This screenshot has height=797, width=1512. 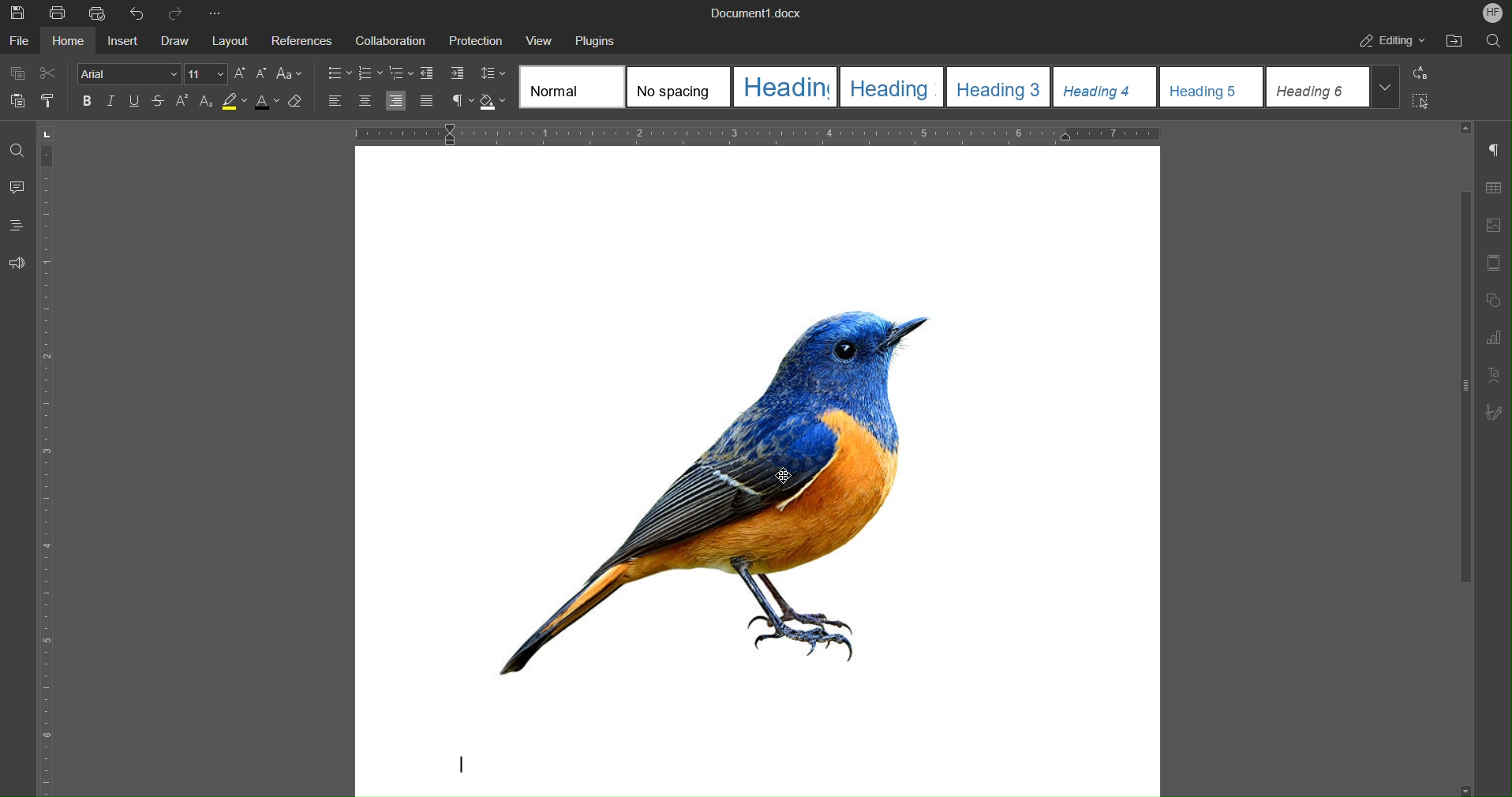 What do you see at coordinates (451, 73) in the screenshot?
I see `Increase Indent` at bounding box center [451, 73].